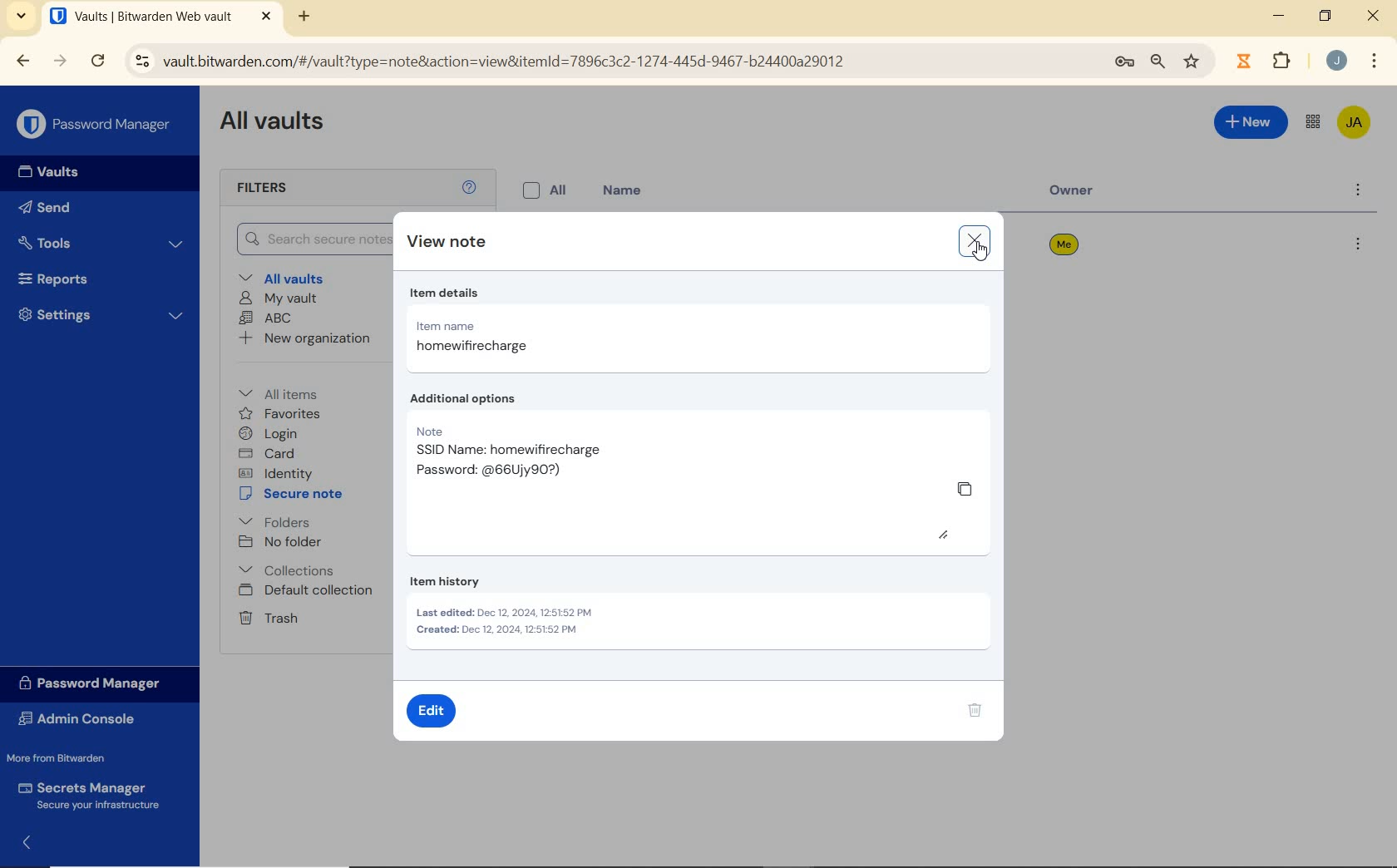 This screenshot has width=1397, height=868. Describe the element at coordinates (86, 718) in the screenshot. I see `Admin Console` at that location.